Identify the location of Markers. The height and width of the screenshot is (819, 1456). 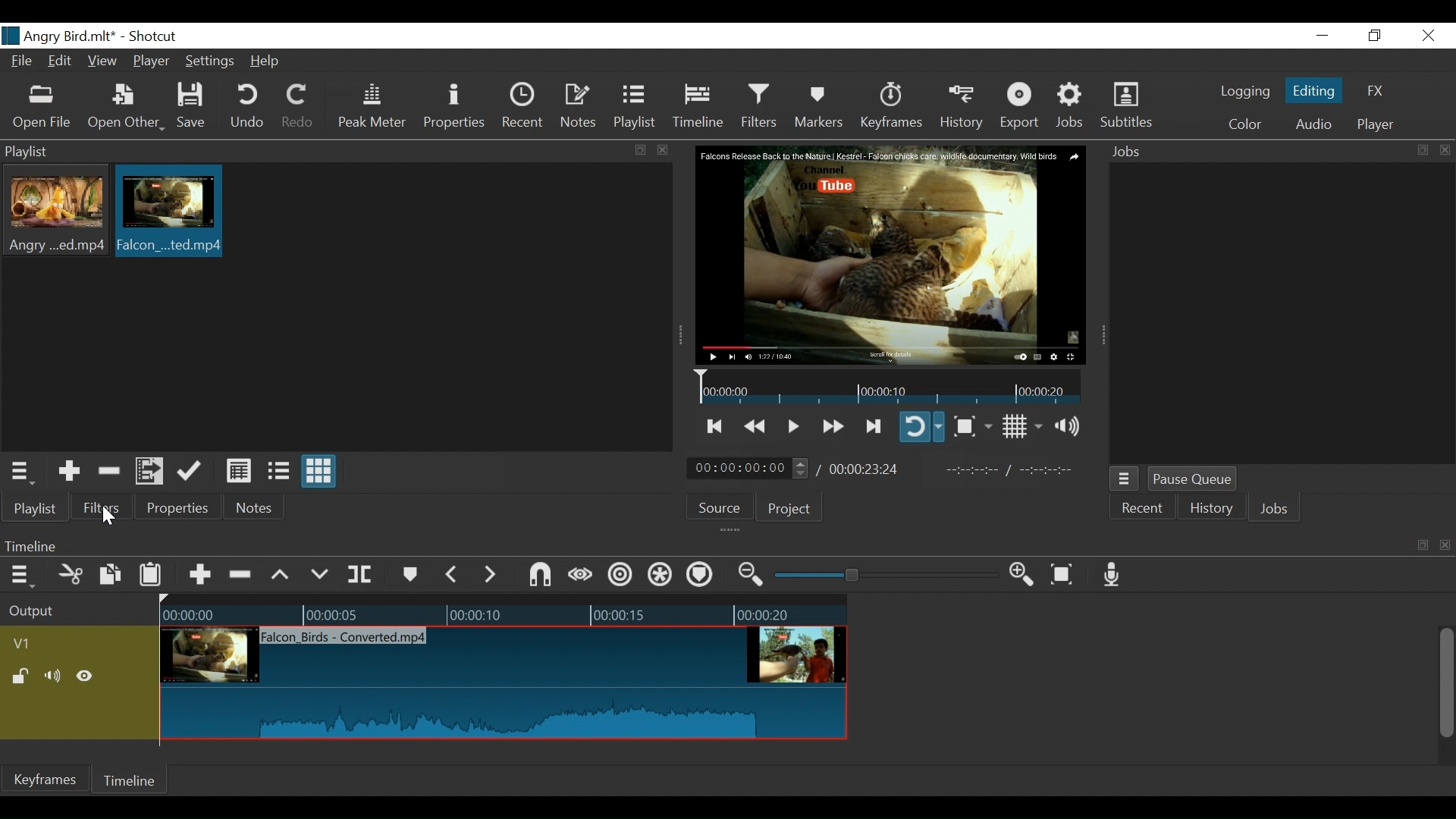
(409, 575).